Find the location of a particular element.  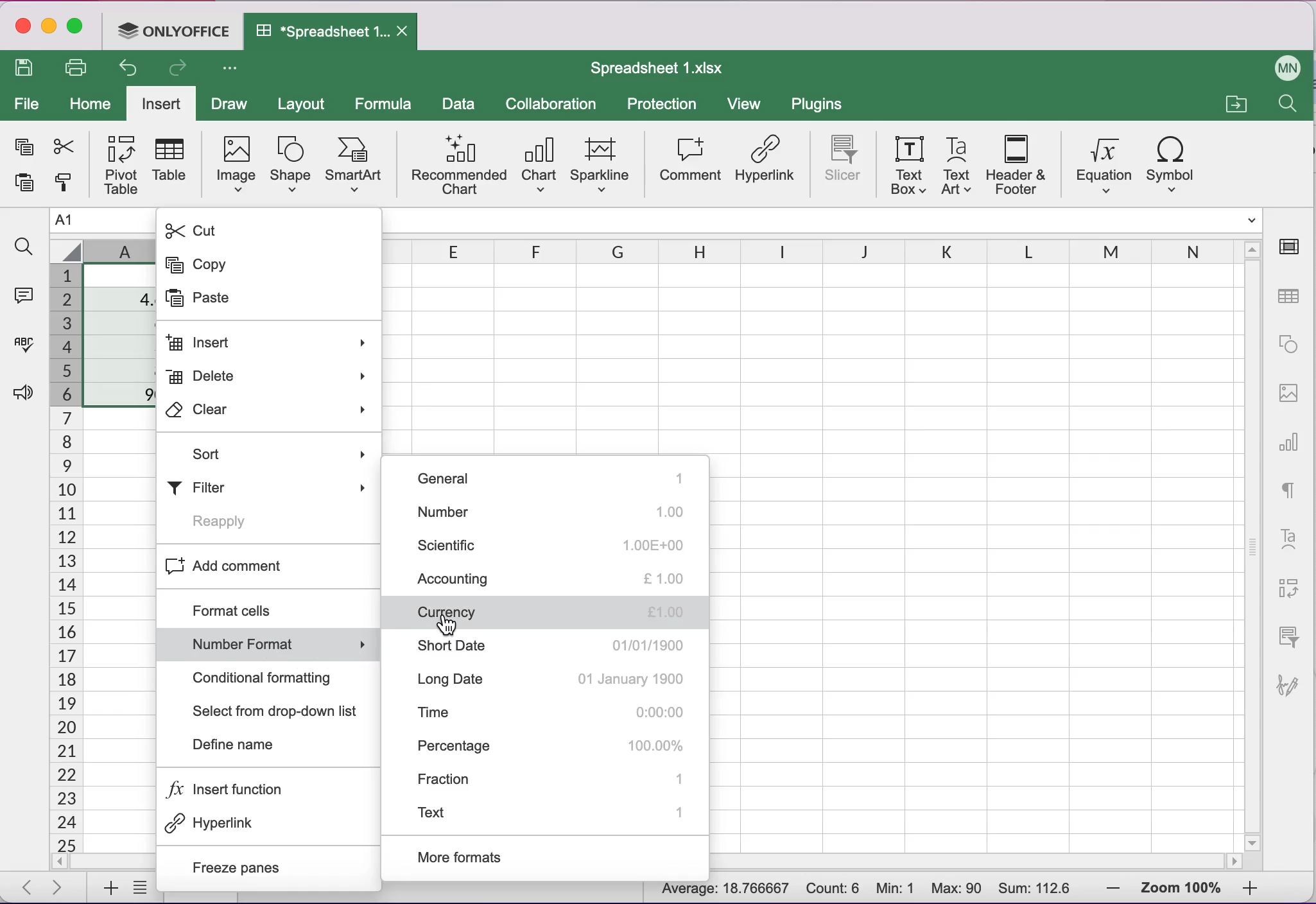

accounting is located at coordinates (558, 578).